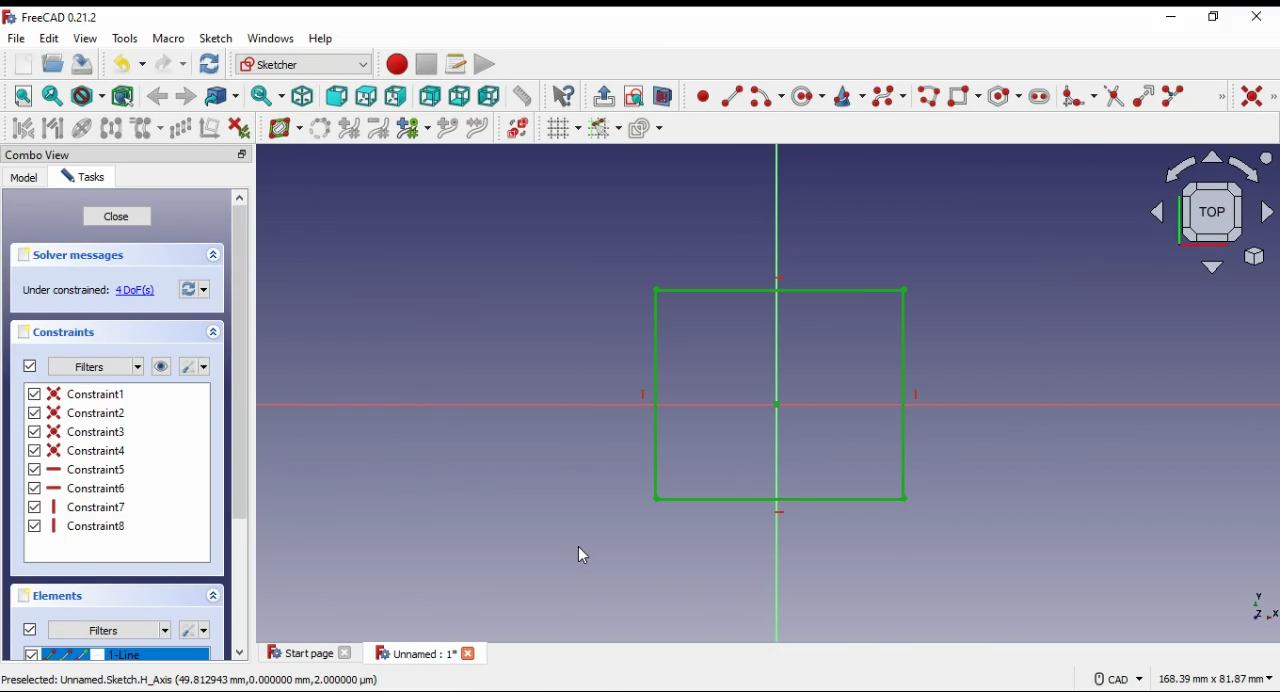  Describe the element at coordinates (213, 255) in the screenshot. I see `collapse` at that location.